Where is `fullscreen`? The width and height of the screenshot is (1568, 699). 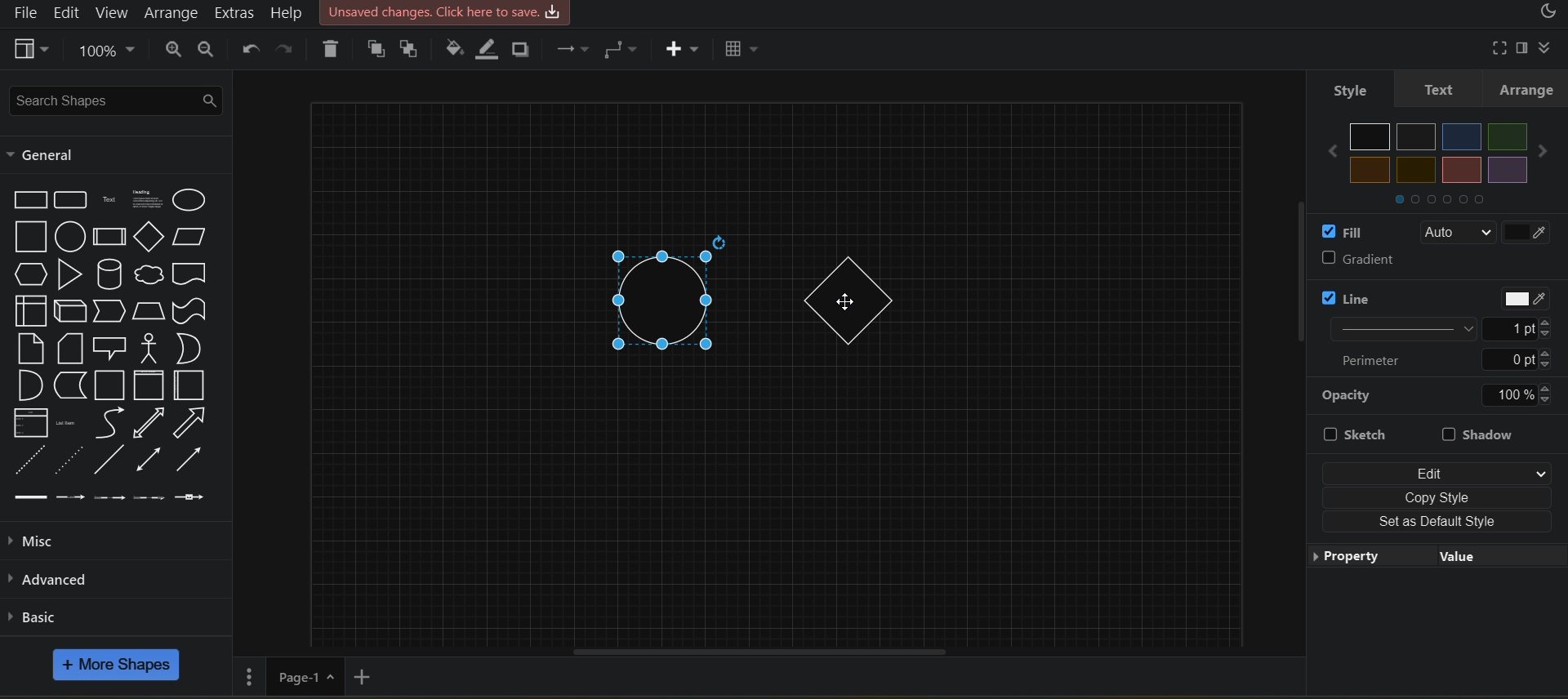 fullscreen is located at coordinates (1499, 50).